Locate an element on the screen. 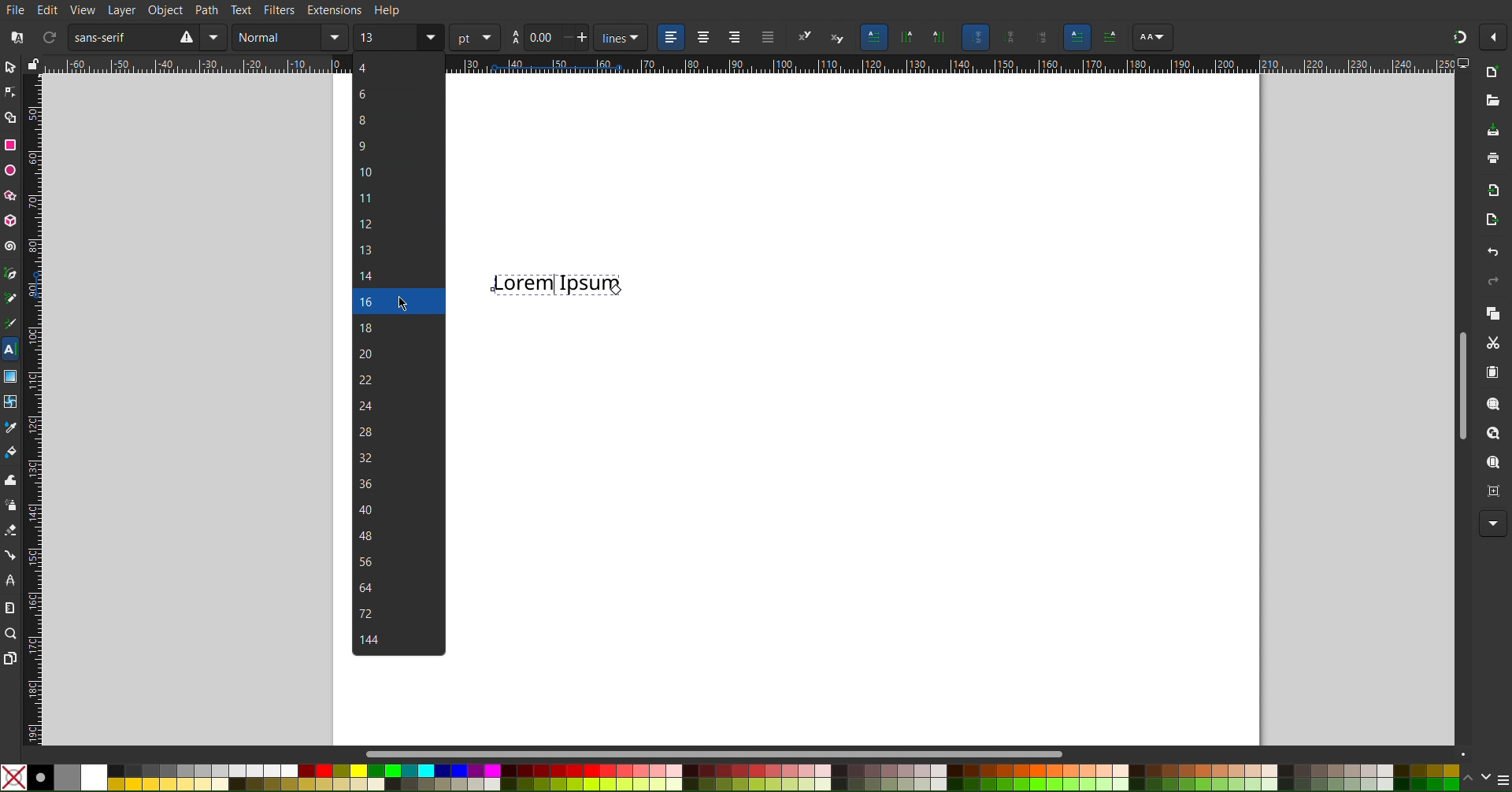 This screenshot has height=792, width=1512. lines is located at coordinates (619, 38).